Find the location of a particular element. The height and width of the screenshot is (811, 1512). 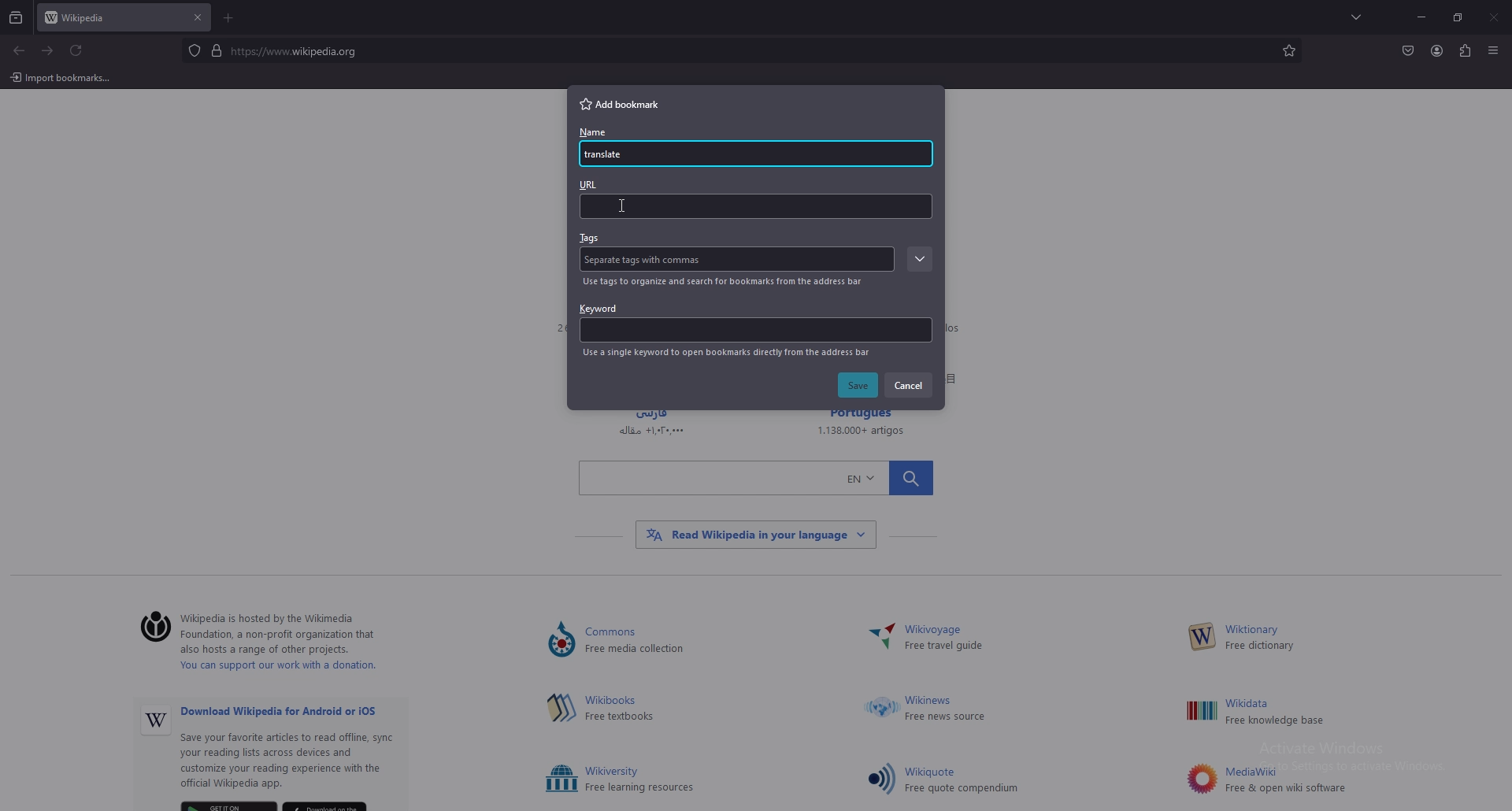

search bar is located at coordinates (733, 50).